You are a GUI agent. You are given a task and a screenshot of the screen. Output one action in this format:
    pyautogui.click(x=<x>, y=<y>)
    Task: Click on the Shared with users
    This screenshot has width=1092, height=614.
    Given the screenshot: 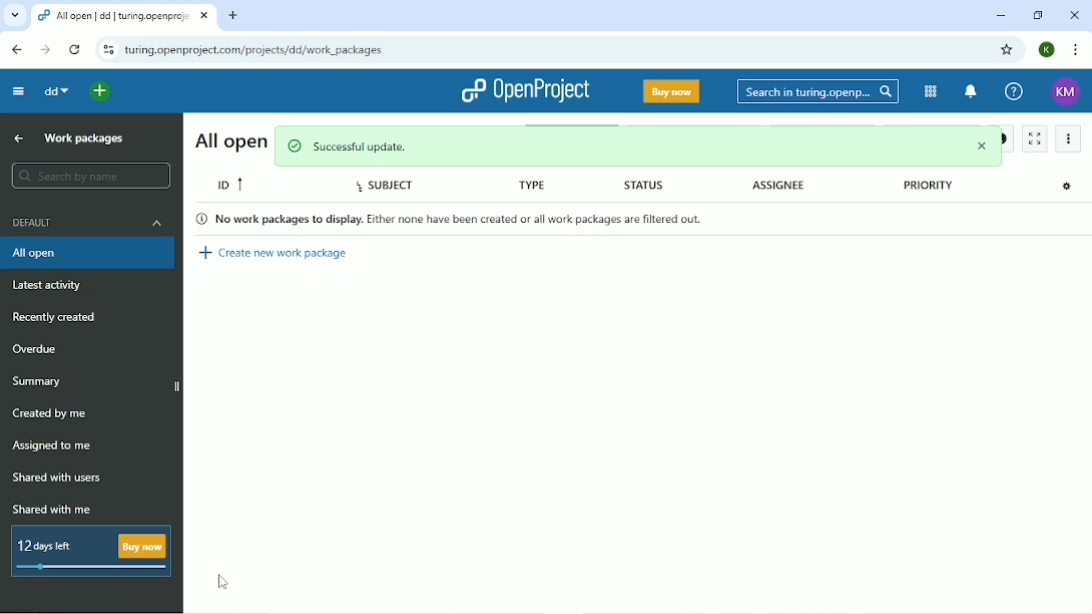 What is the action you would take?
    pyautogui.click(x=61, y=477)
    